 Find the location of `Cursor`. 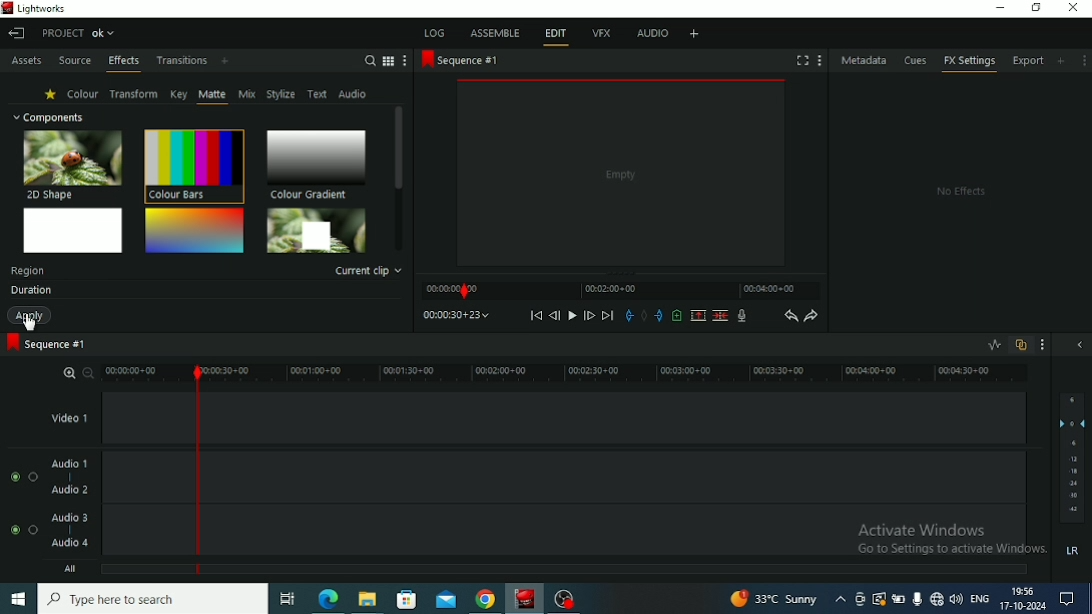

Cursor is located at coordinates (30, 322).